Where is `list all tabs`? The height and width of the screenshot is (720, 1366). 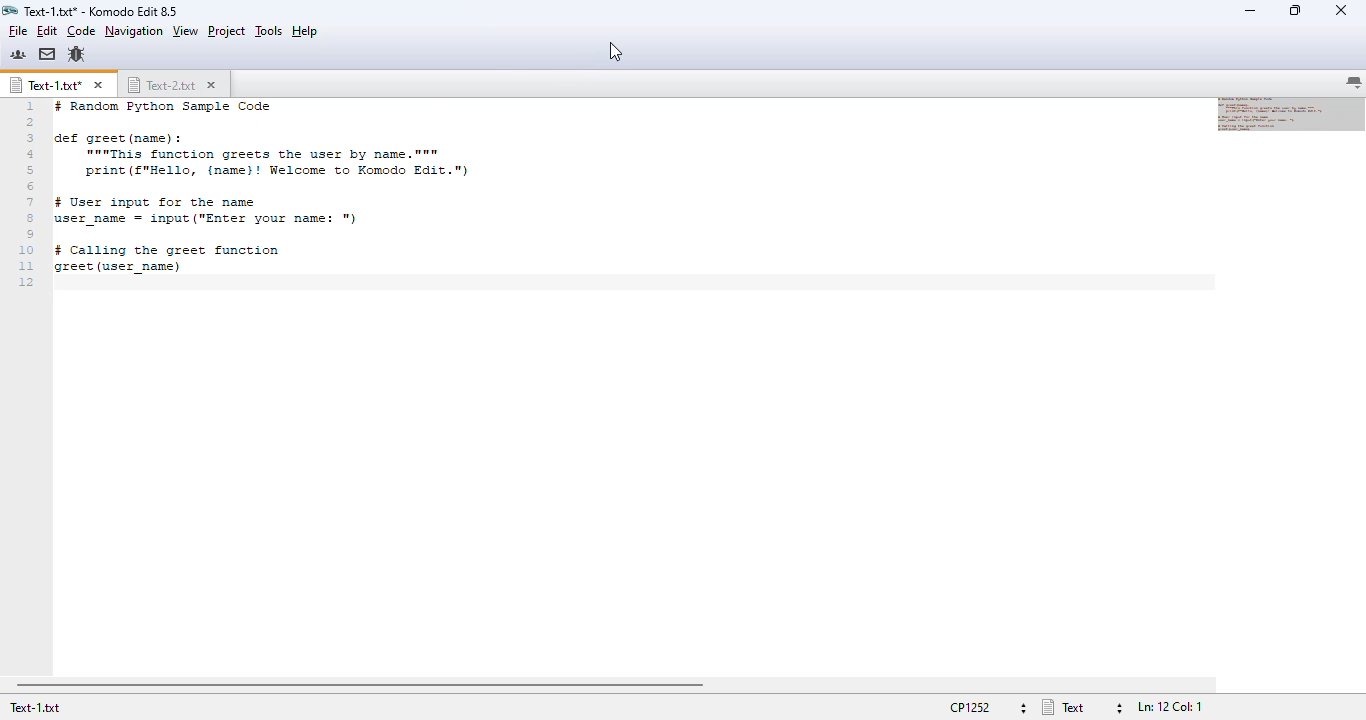
list all tabs is located at coordinates (1353, 83).